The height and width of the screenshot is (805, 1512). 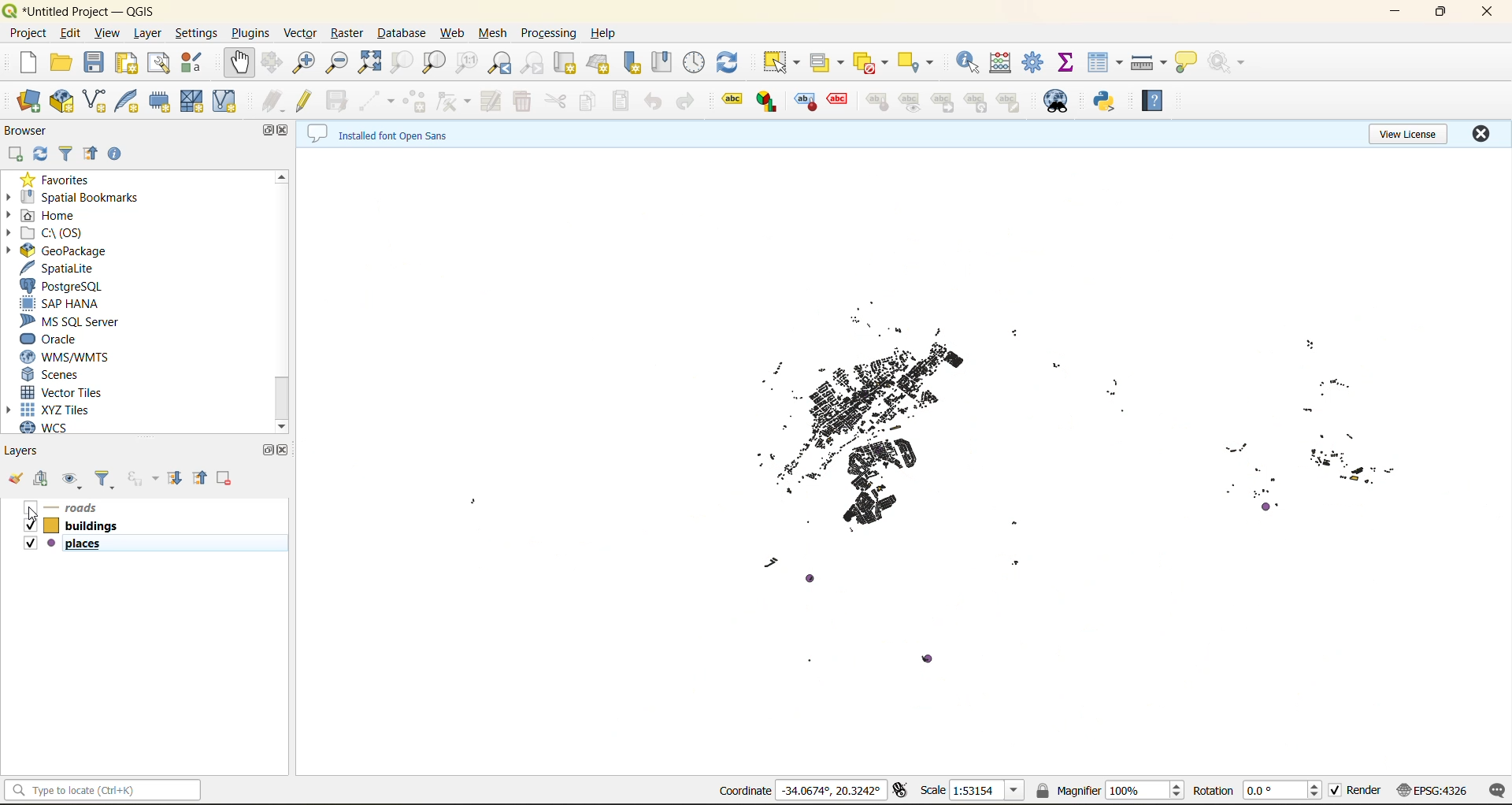 What do you see at coordinates (374, 63) in the screenshot?
I see `zoom full` at bounding box center [374, 63].